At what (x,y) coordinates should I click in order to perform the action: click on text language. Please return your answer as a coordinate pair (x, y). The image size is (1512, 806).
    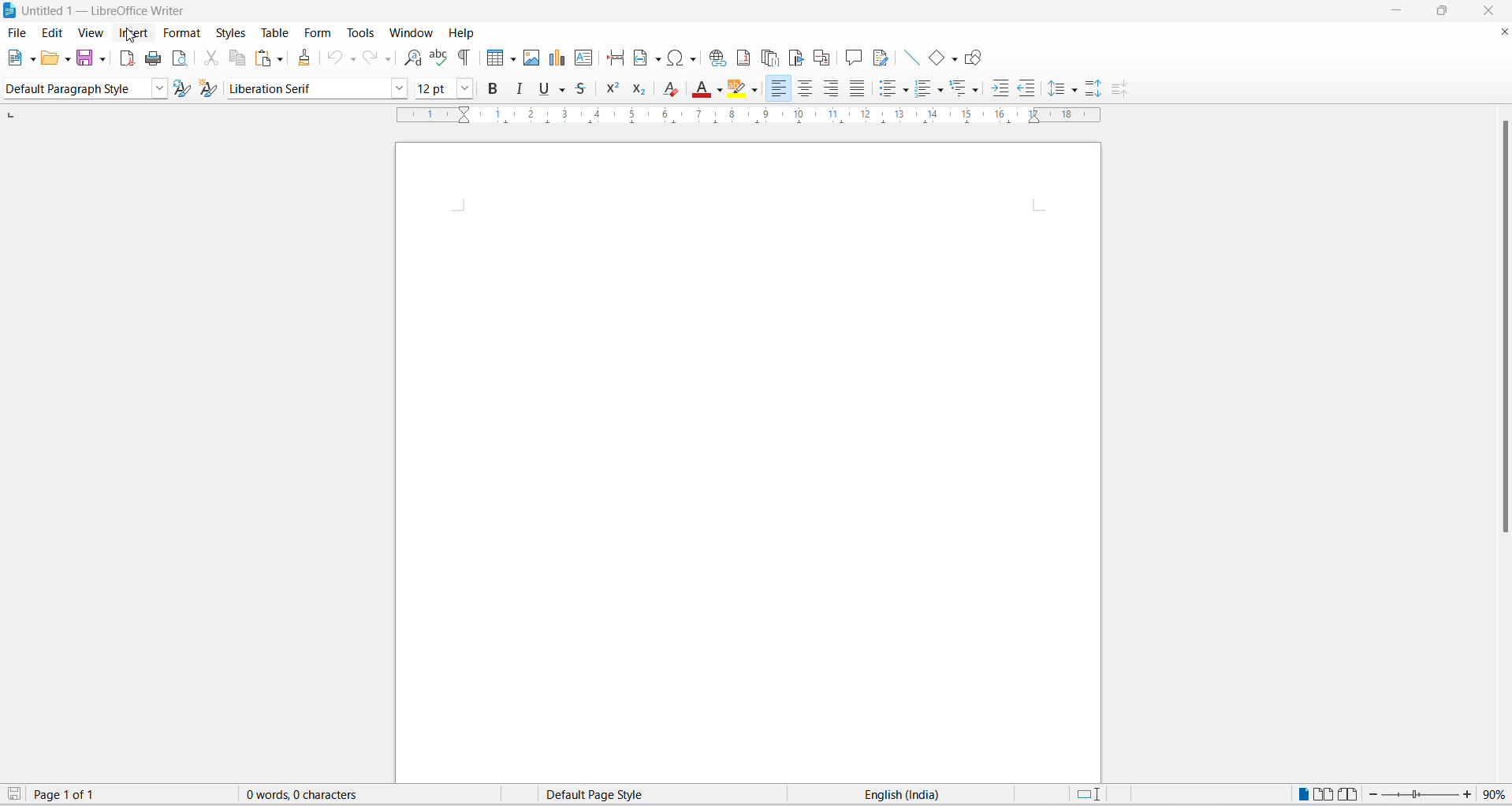
    Looking at the image, I should click on (904, 794).